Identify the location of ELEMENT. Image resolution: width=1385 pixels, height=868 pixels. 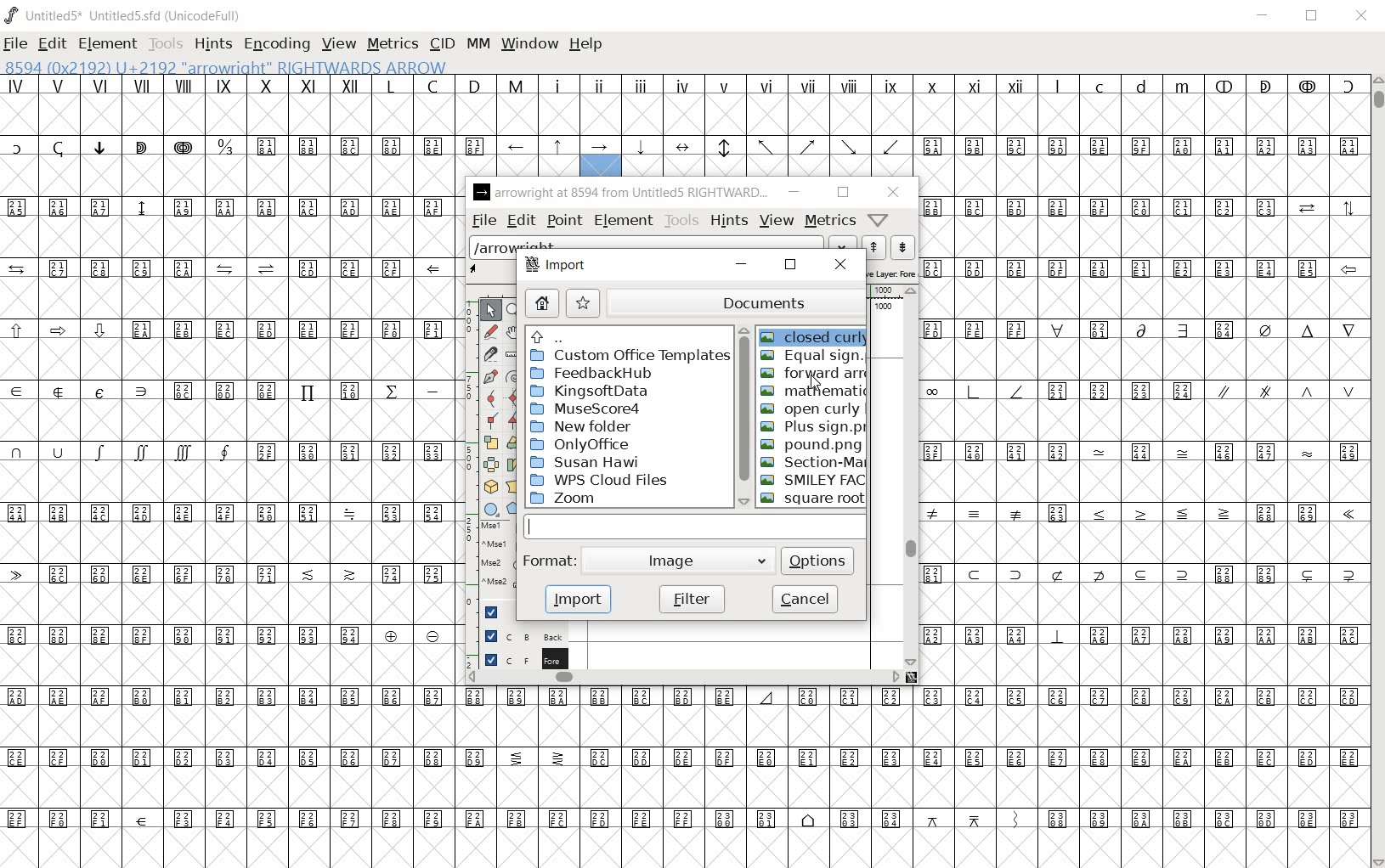
(109, 43).